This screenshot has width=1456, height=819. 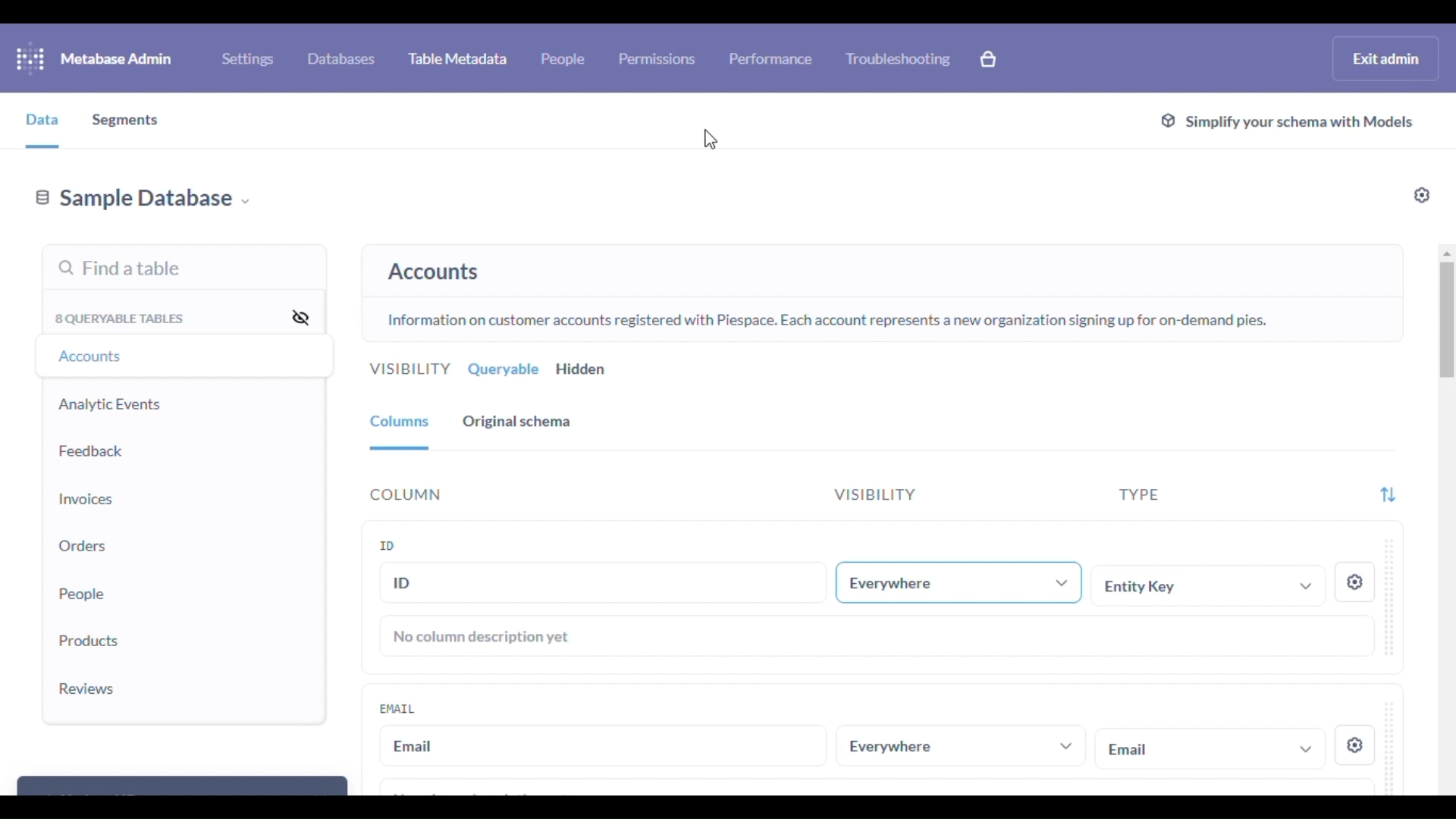 I want to click on settings, so click(x=1355, y=582).